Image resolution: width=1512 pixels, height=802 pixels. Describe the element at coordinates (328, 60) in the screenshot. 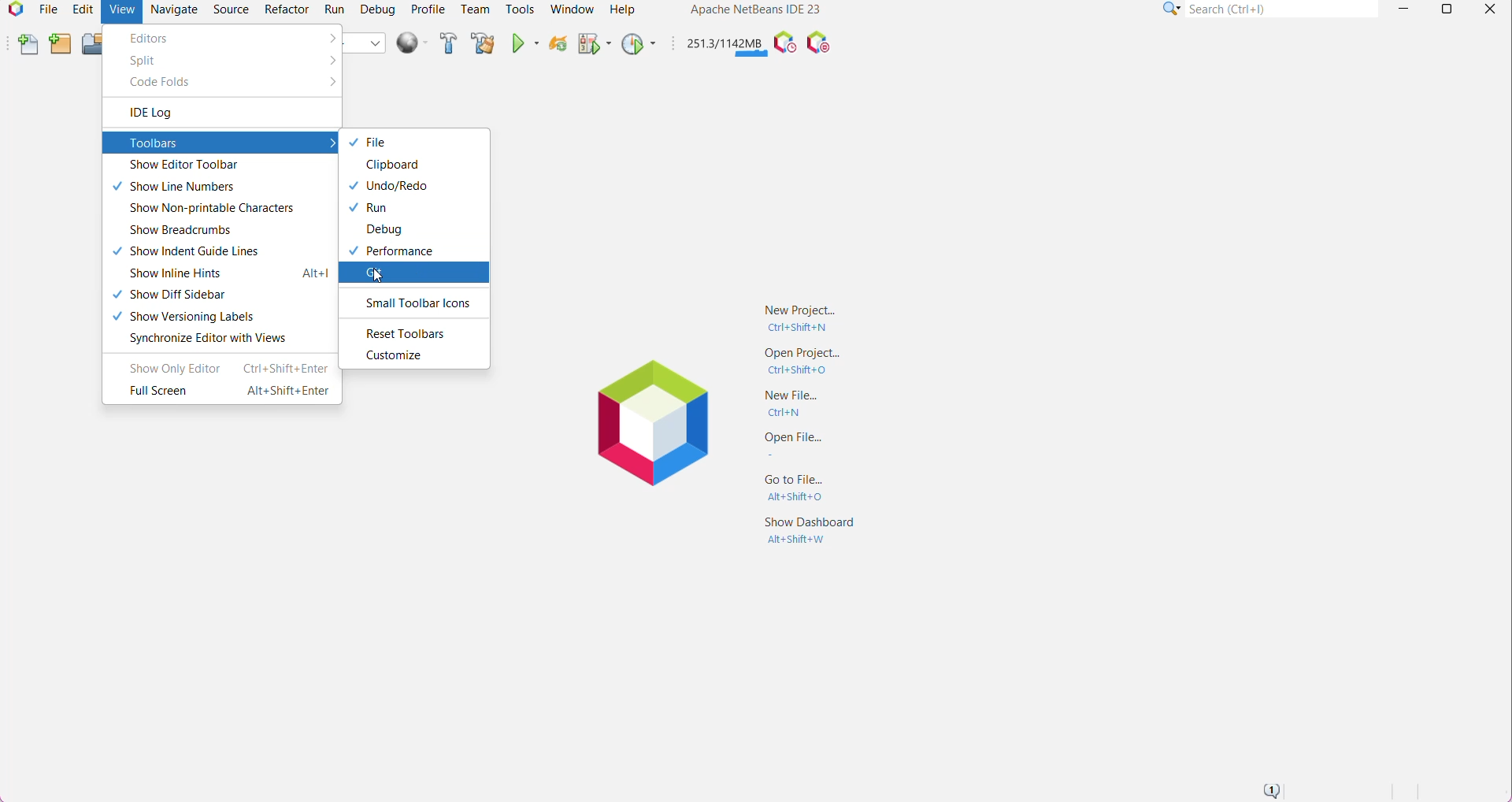

I see `More options` at that location.